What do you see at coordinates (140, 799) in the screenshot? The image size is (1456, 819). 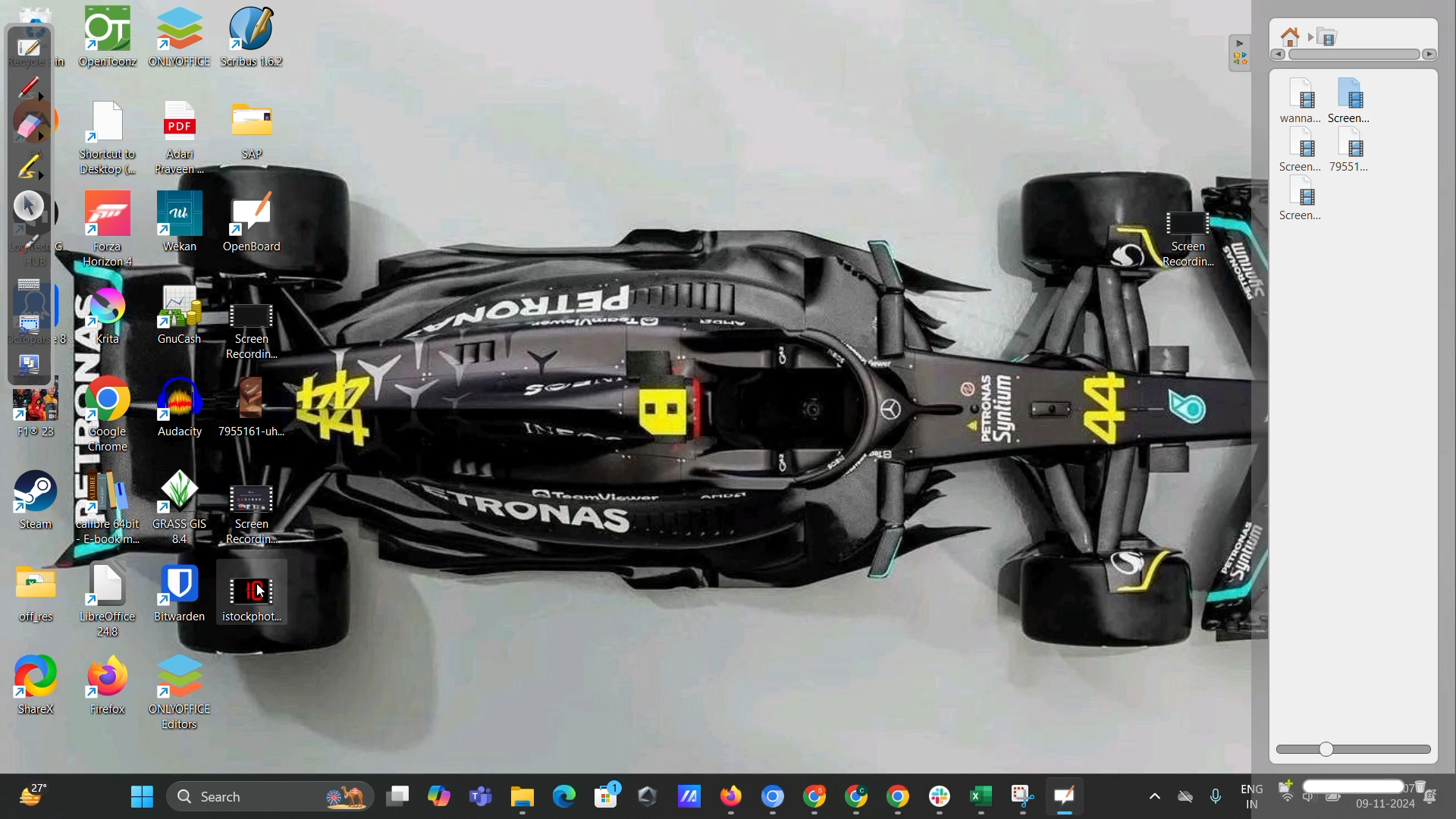 I see `windows` at bounding box center [140, 799].